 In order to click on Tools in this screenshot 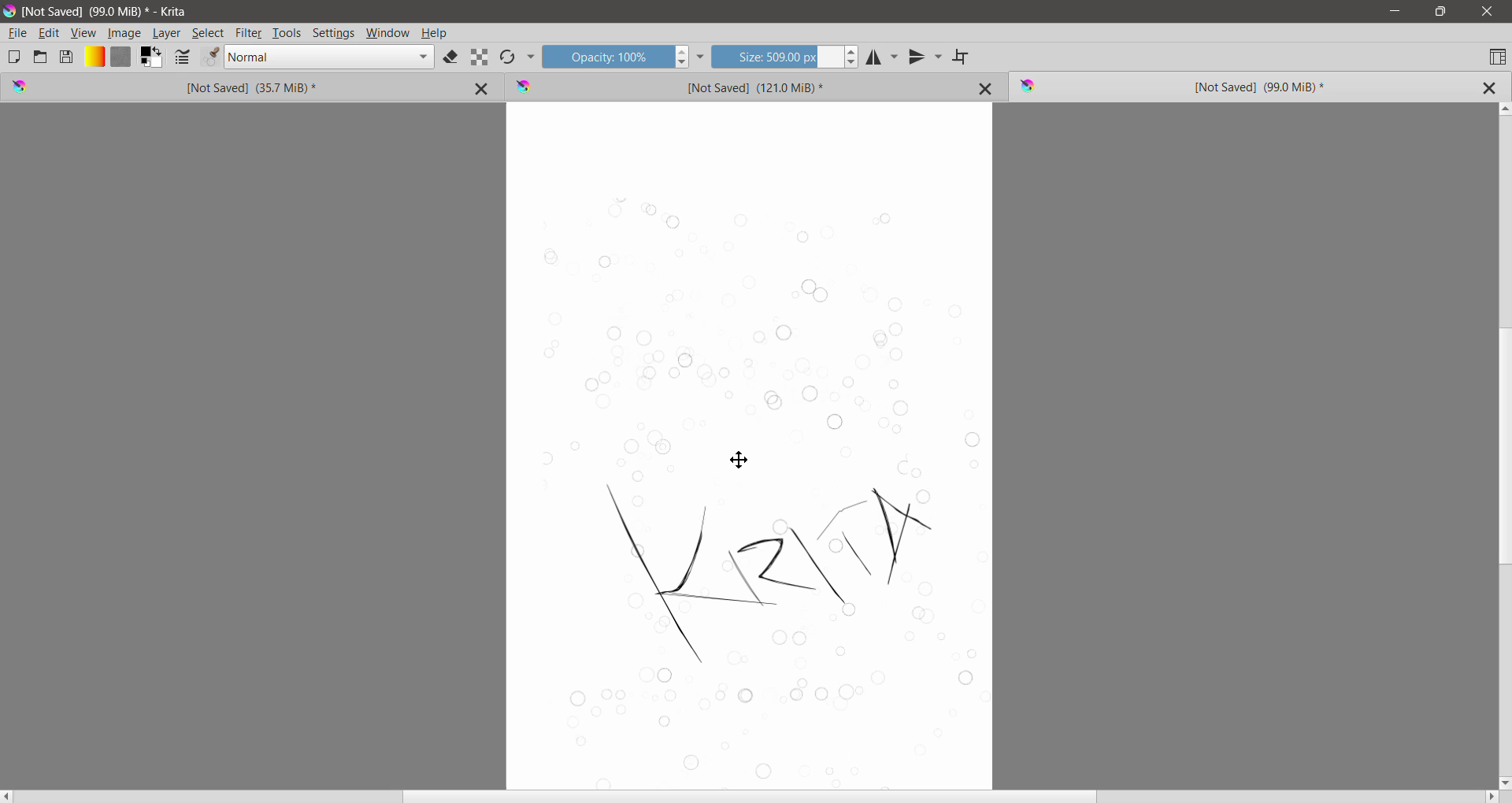, I will do `click(287, 34)`.